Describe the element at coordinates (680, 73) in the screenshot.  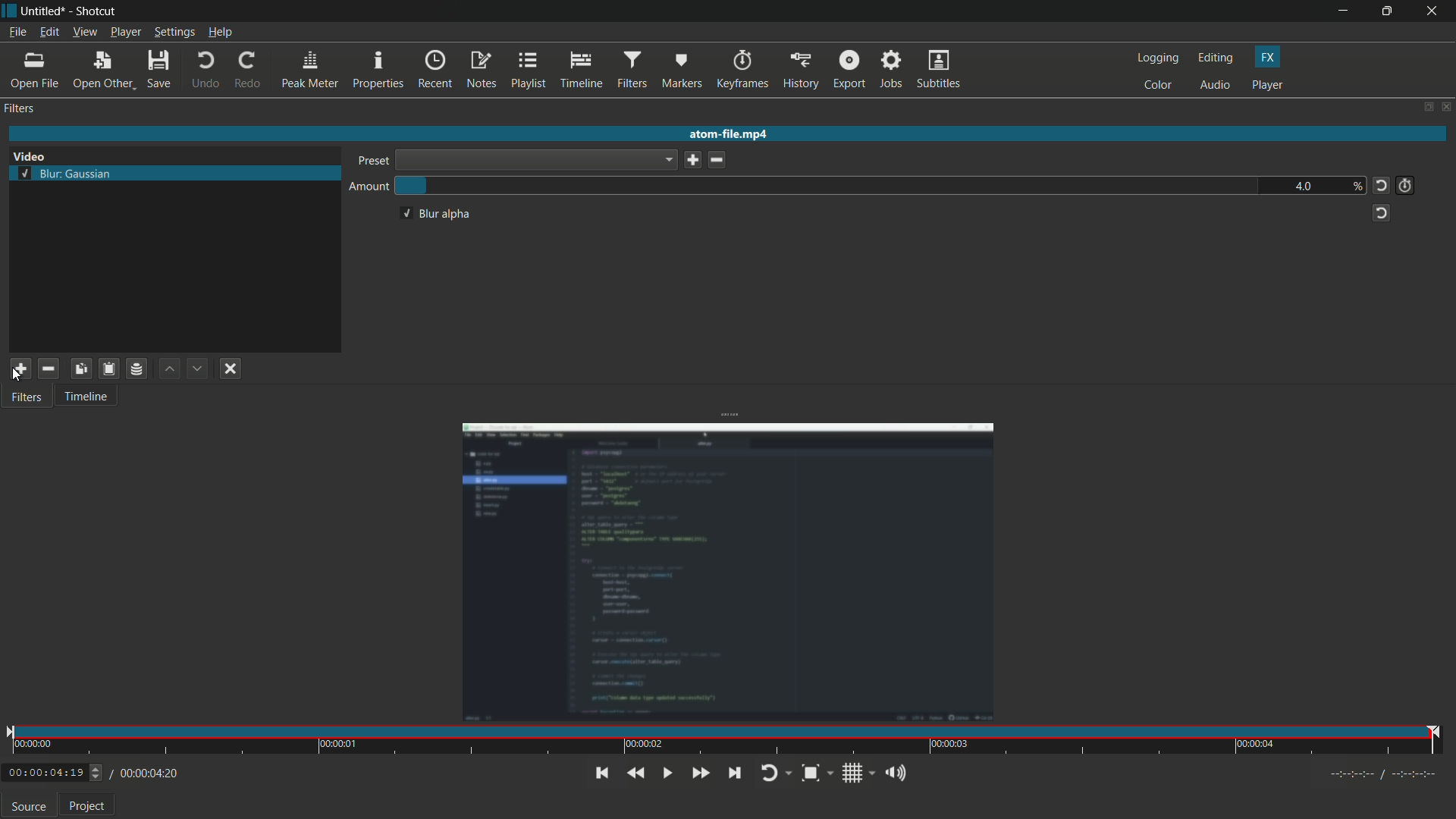
I see `markers` at that location.